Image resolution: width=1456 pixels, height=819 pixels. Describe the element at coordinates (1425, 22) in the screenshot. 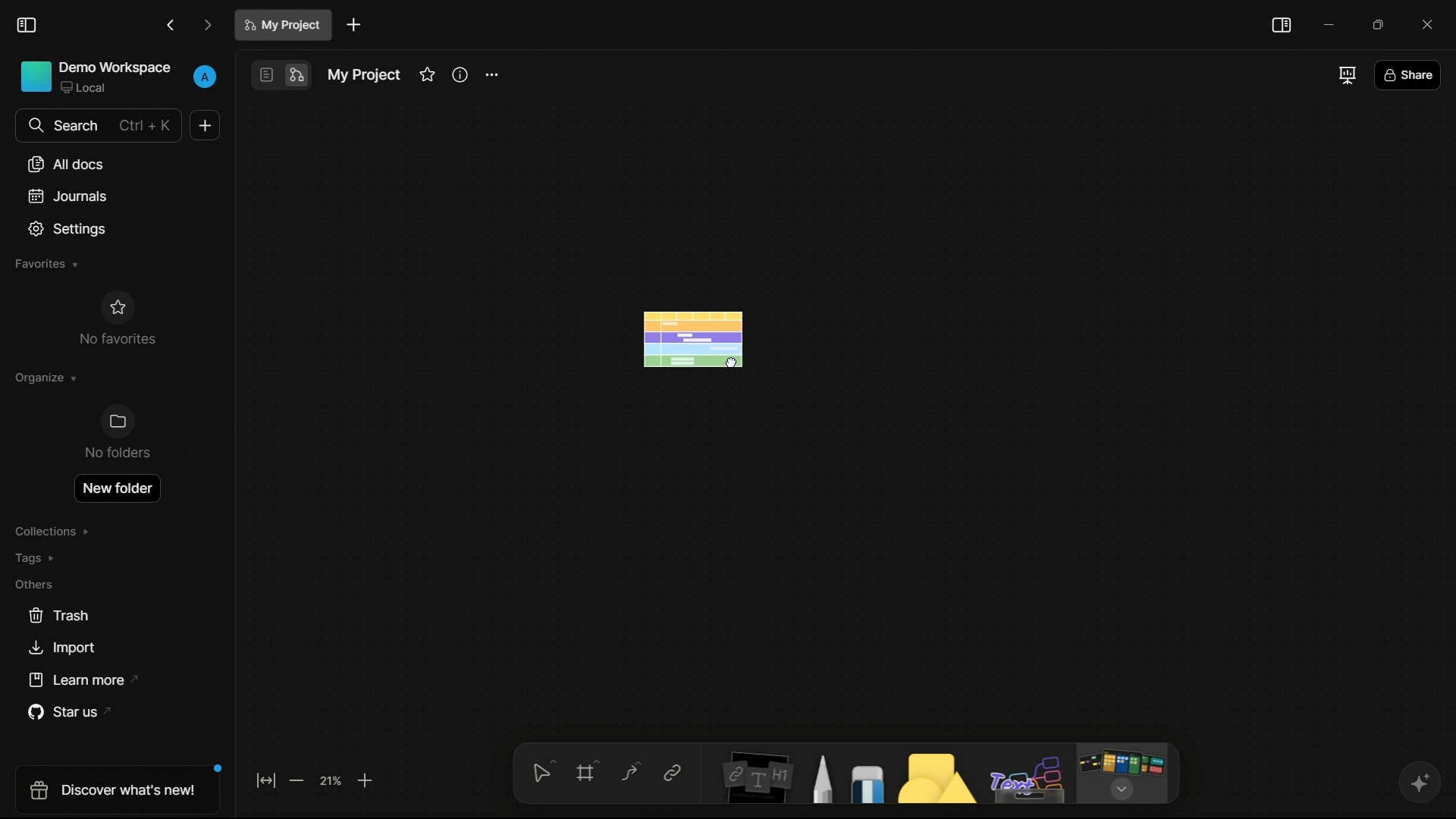

I see `close app` at that location.